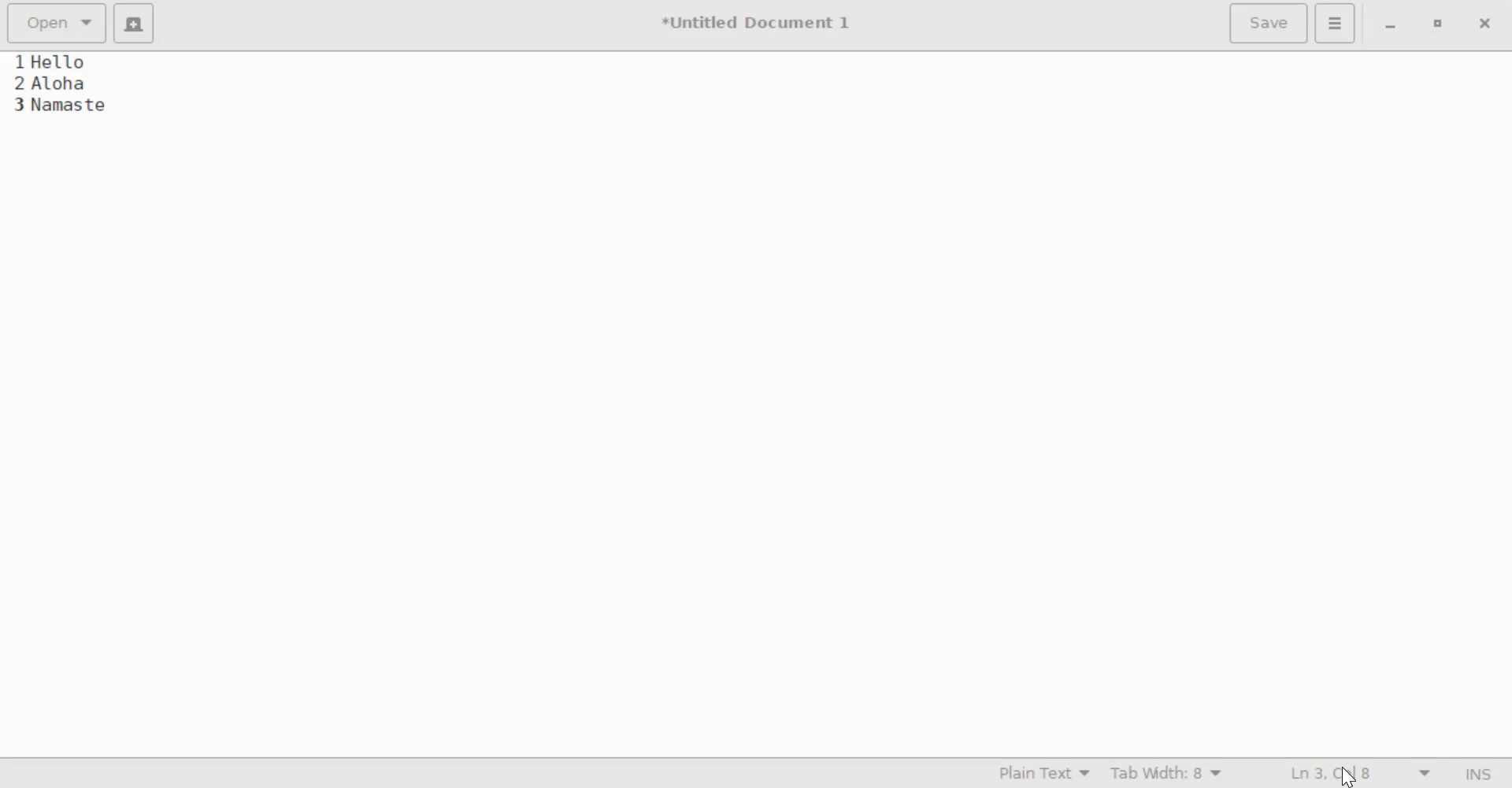  What do you see at coordinates (1391, 24) in the screenshot?
I see `minimize` at bounding box center [1391, 24].